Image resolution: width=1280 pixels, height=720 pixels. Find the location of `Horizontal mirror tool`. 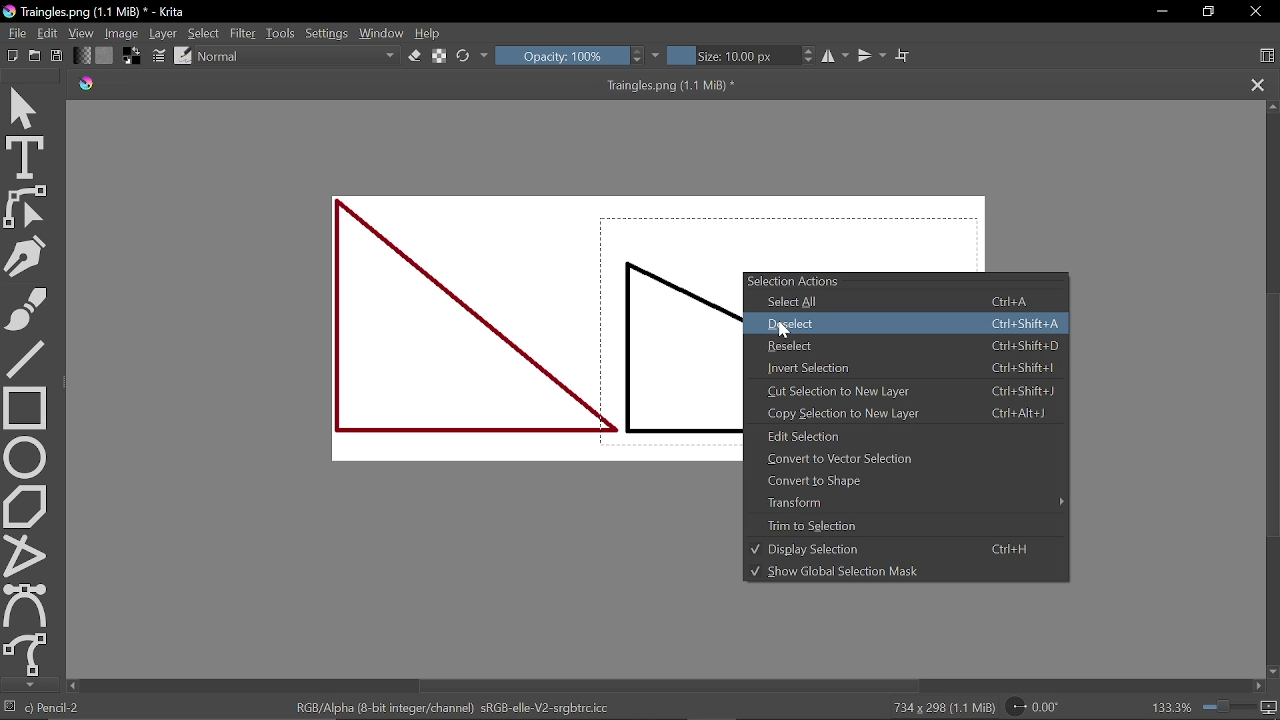

Horizontal mirror tool is located at coordinates (838, 55).